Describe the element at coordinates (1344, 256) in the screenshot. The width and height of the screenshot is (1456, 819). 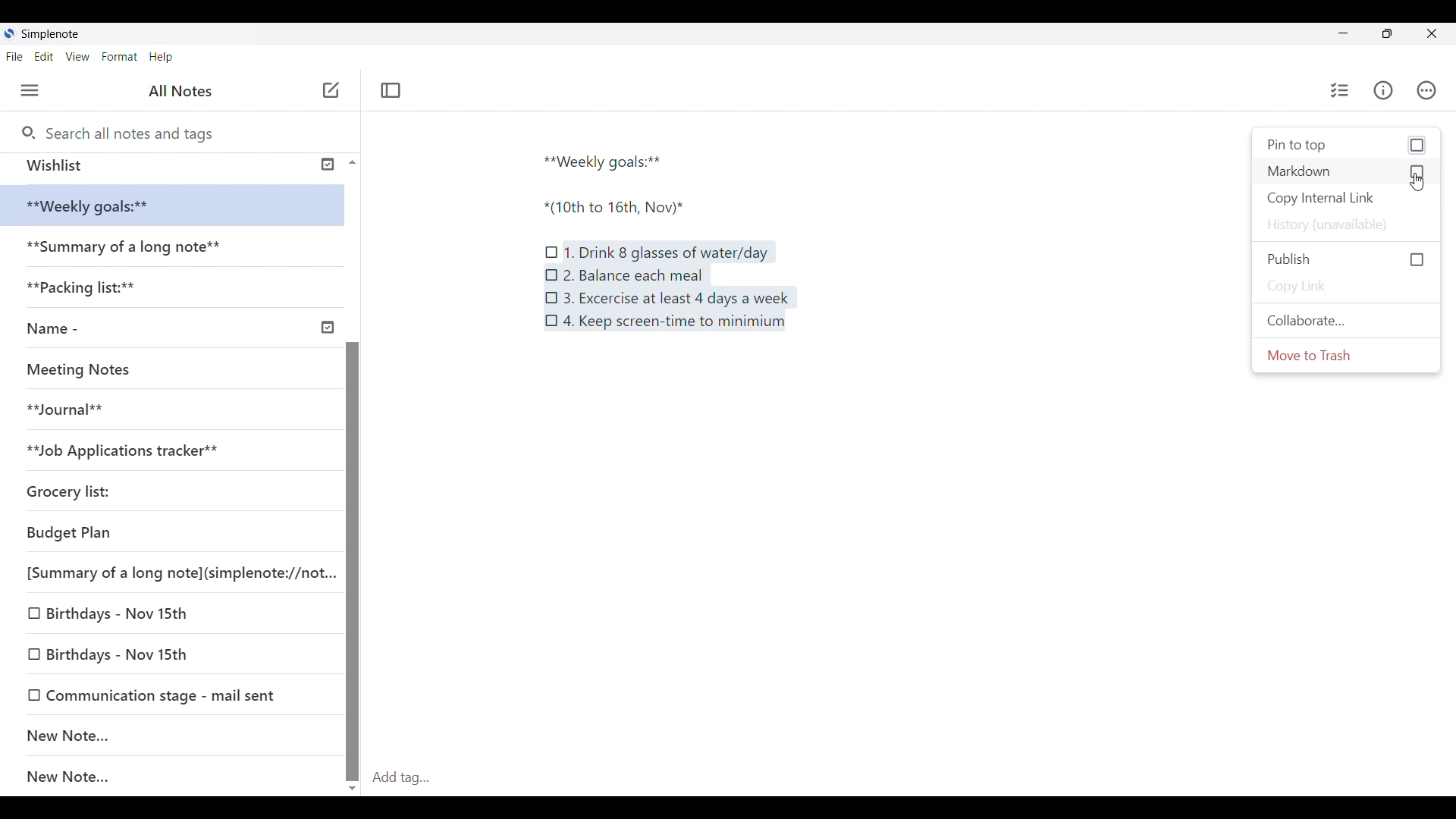
I see `Publish` at that location.